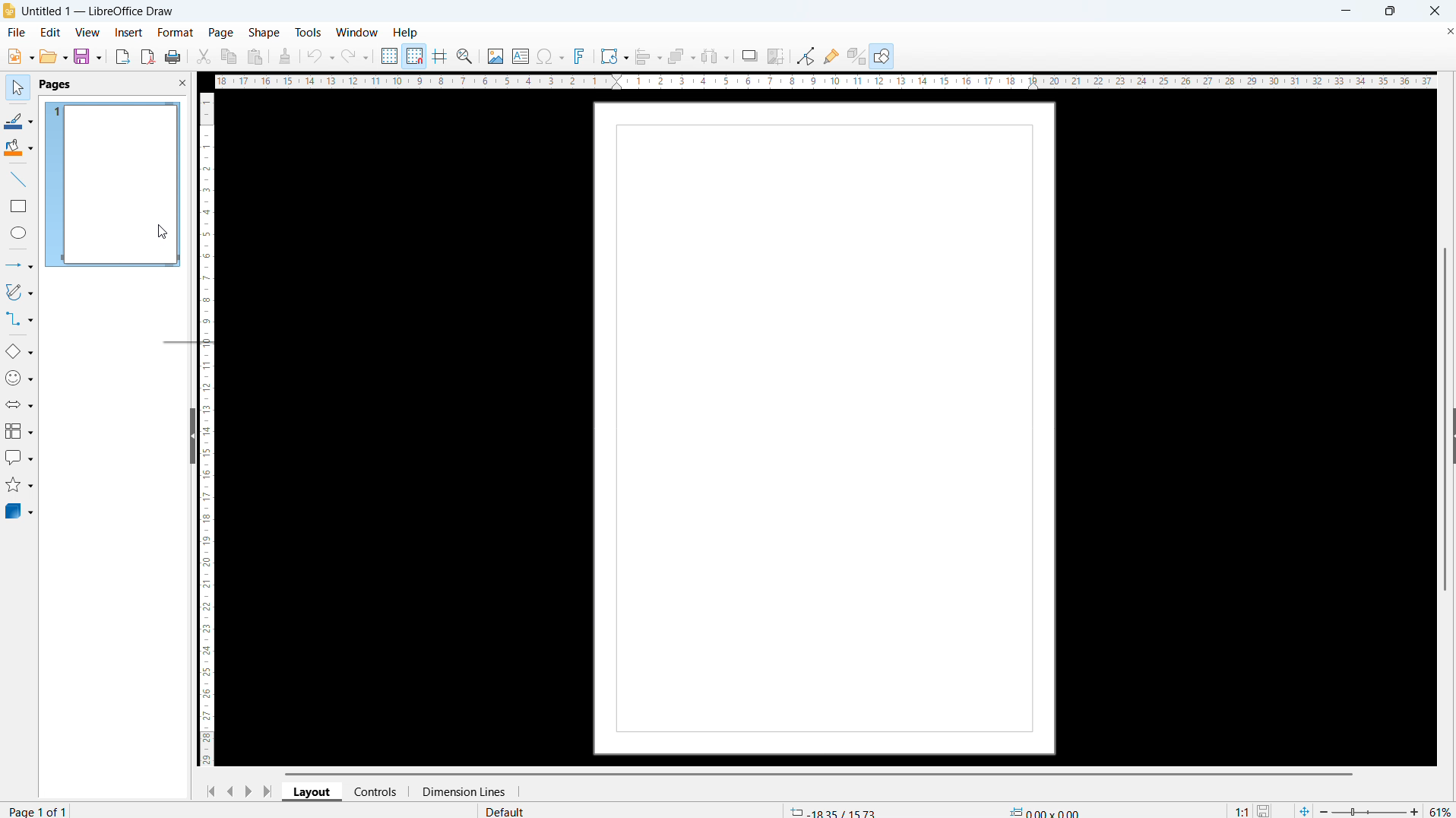  Describe the element at coordinates (173, 55) in the screenshot. I see `print` at that location.